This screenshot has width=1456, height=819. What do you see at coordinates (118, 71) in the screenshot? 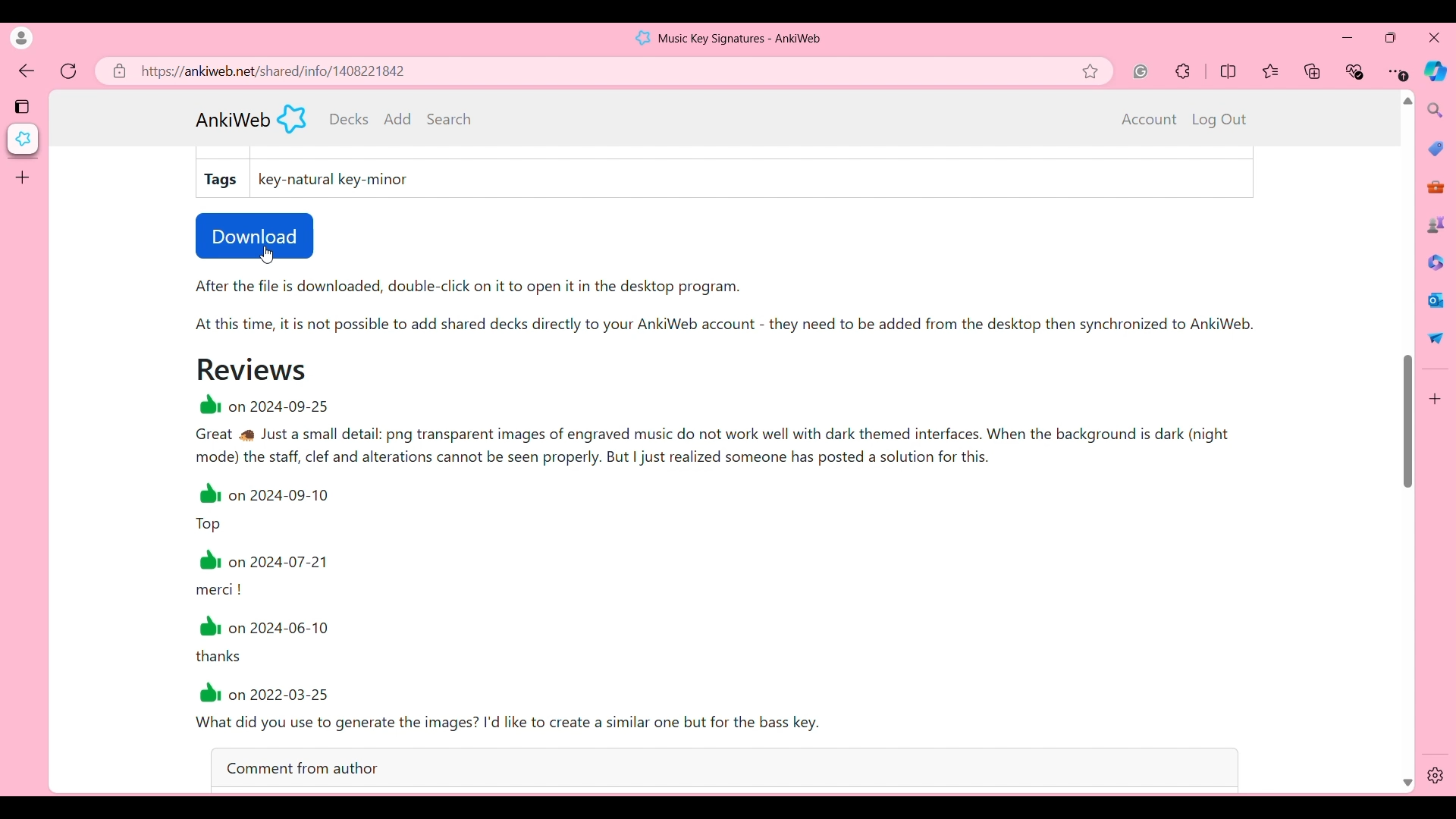
I see `Click to view site information` at bounding box center [118, 71].